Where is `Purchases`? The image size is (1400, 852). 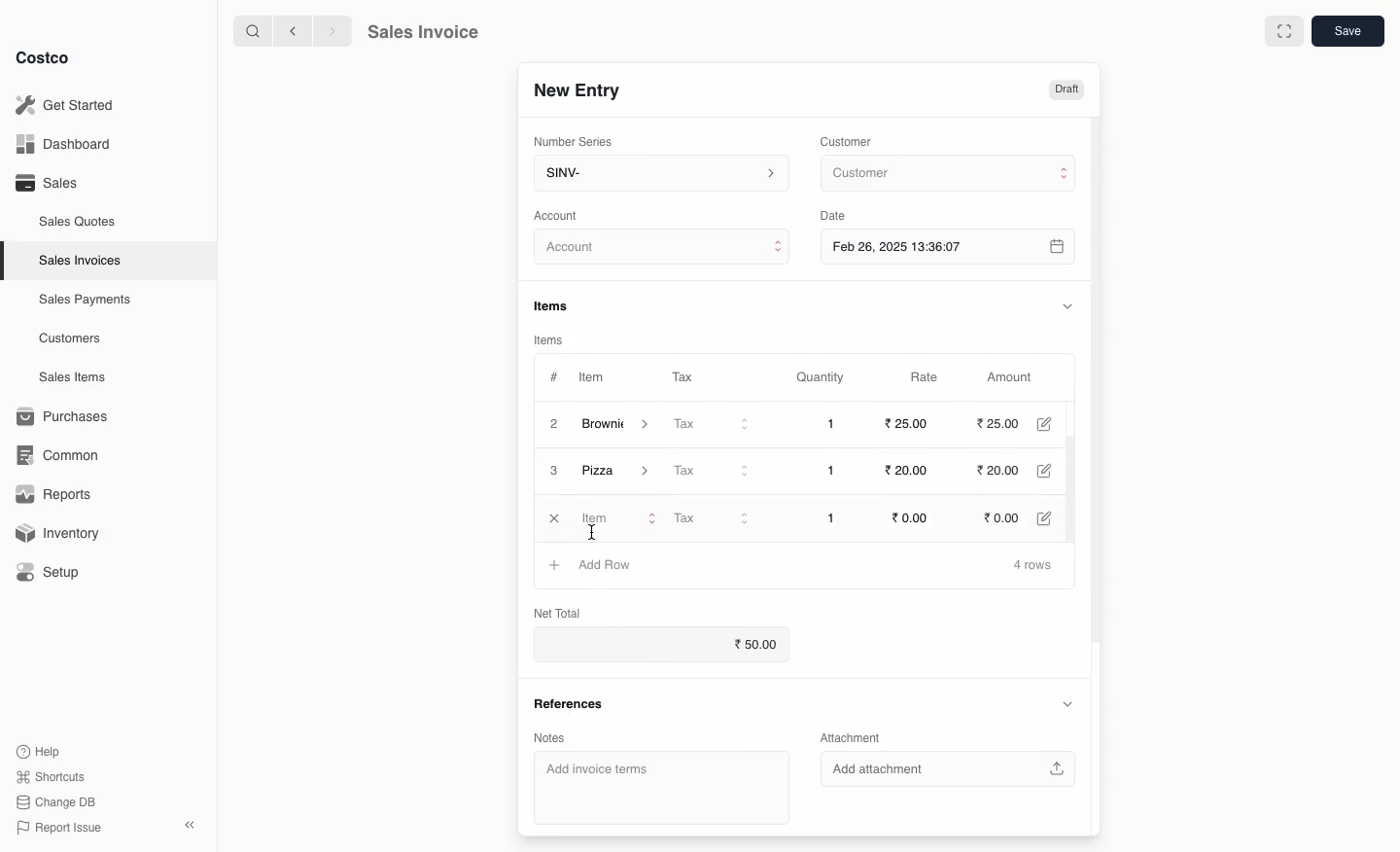 Purchases is located at coordinates (67, 416).